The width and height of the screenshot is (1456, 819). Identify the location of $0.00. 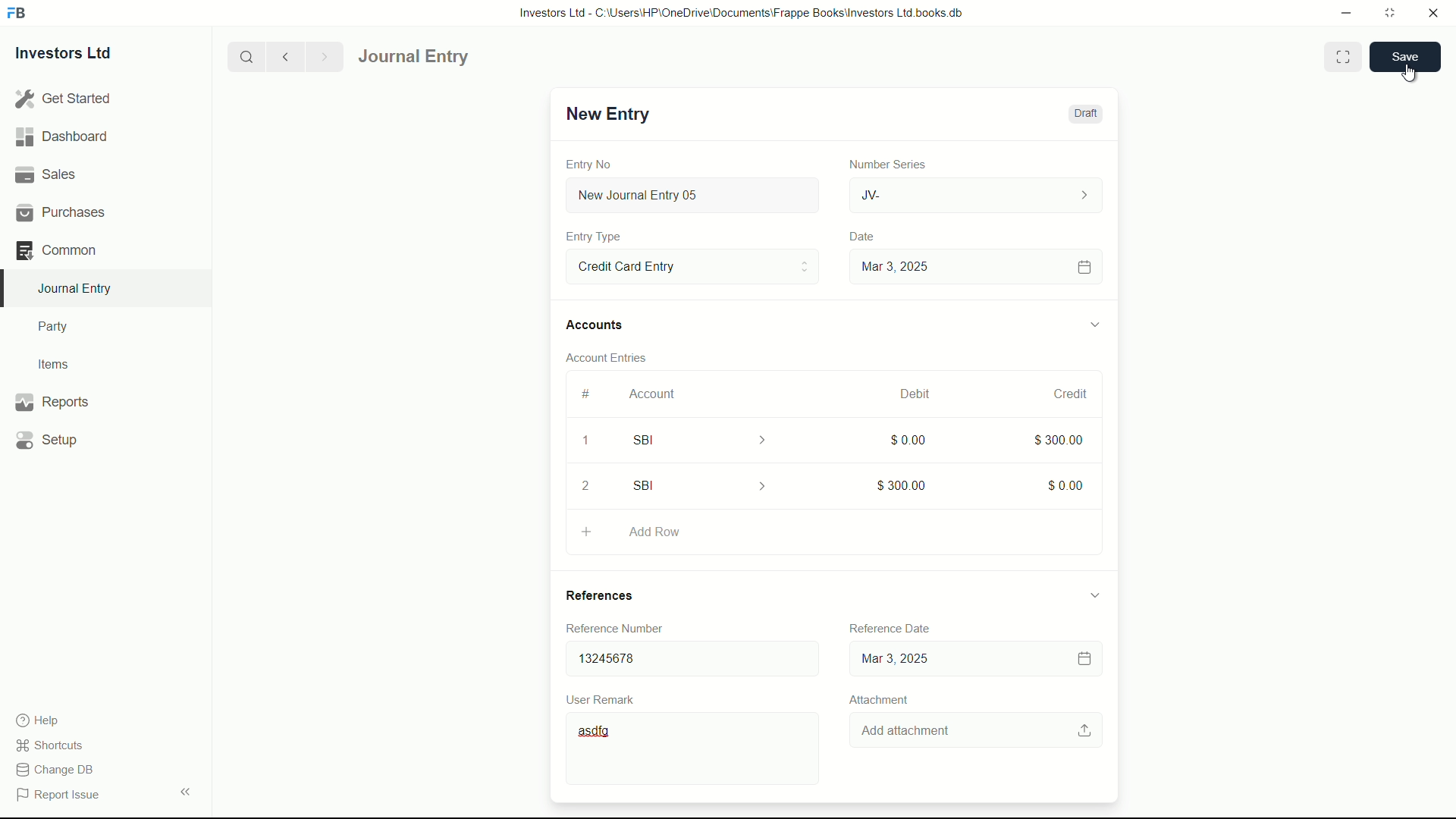
(905, 439).